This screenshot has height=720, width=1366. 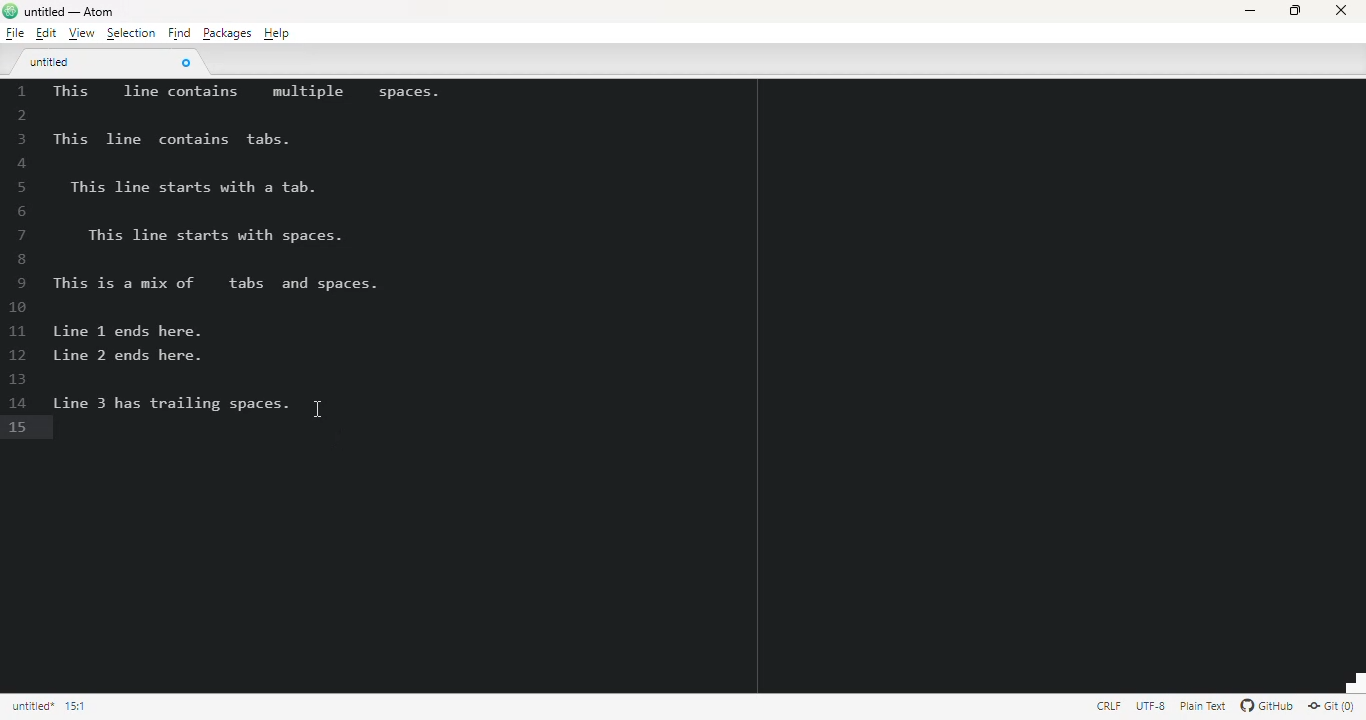 I want to click on this file uses UTF-8 encoding, so click(x=1151, y=706).